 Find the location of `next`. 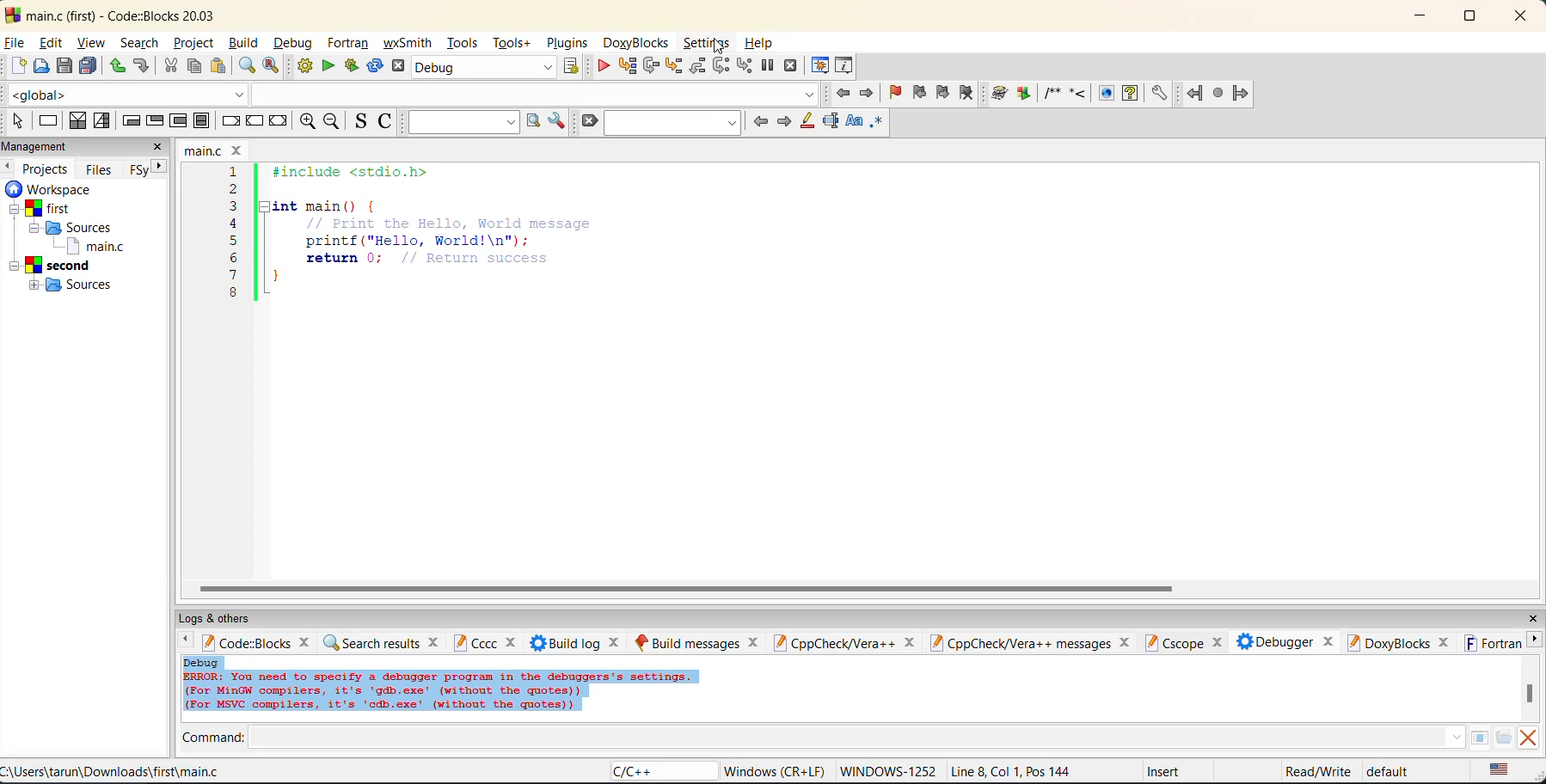

next is located at coordinates (1535, 639).